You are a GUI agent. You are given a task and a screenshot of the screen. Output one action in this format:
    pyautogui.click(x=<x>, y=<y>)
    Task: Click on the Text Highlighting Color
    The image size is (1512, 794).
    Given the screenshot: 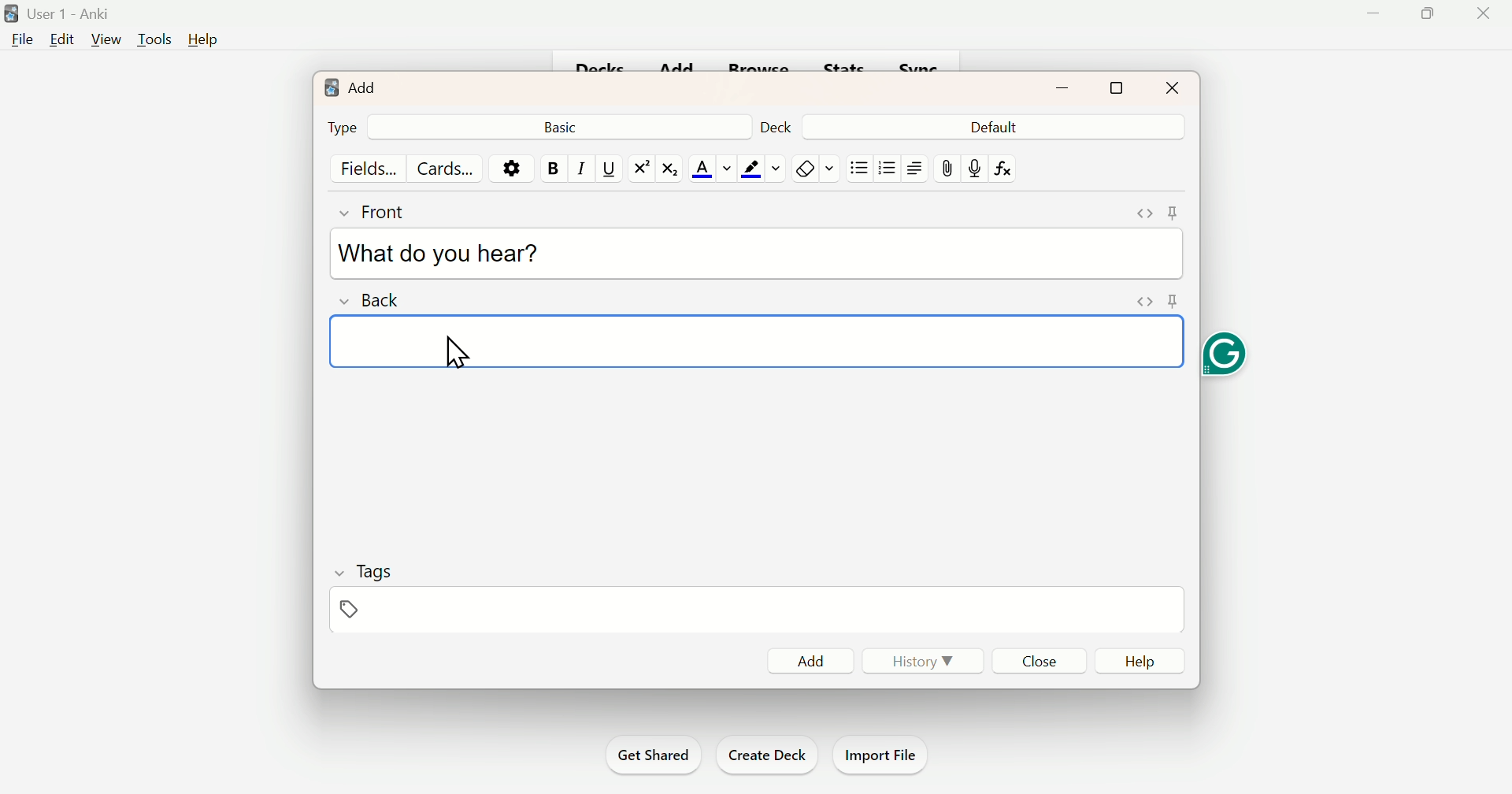 What is the action you would take?
    pyautogui.click(x=762, y=169)
    